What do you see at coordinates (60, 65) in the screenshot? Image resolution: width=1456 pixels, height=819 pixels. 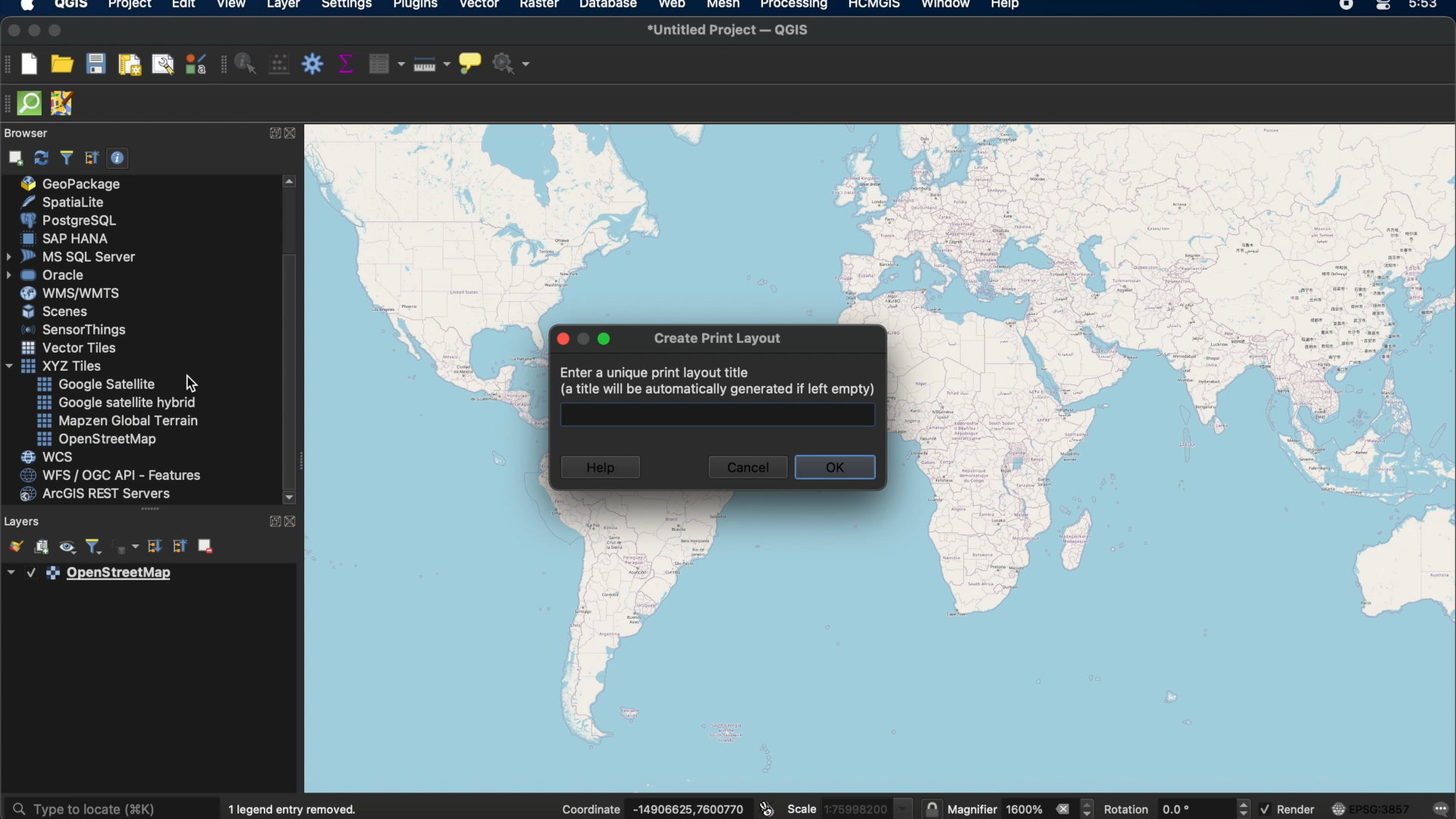 I see `open project` at bounding box center [60, 65].